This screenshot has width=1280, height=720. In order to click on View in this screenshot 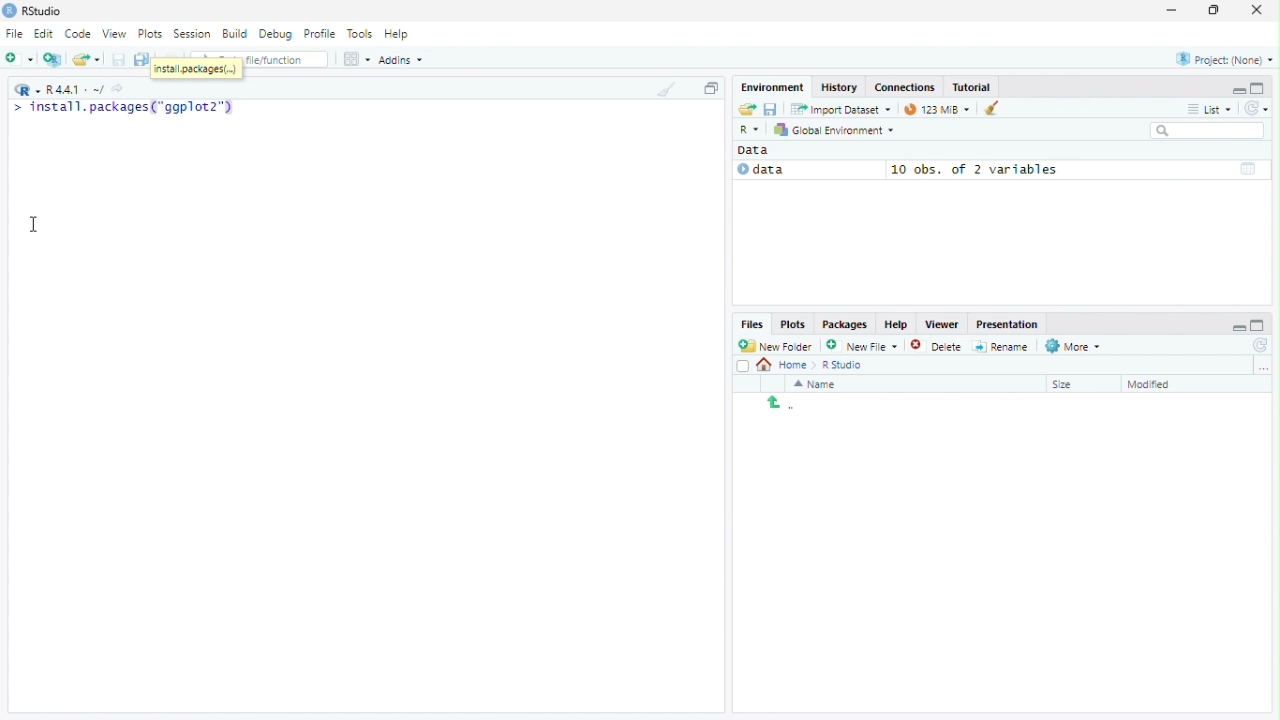, I will do `click(116, 32)`.